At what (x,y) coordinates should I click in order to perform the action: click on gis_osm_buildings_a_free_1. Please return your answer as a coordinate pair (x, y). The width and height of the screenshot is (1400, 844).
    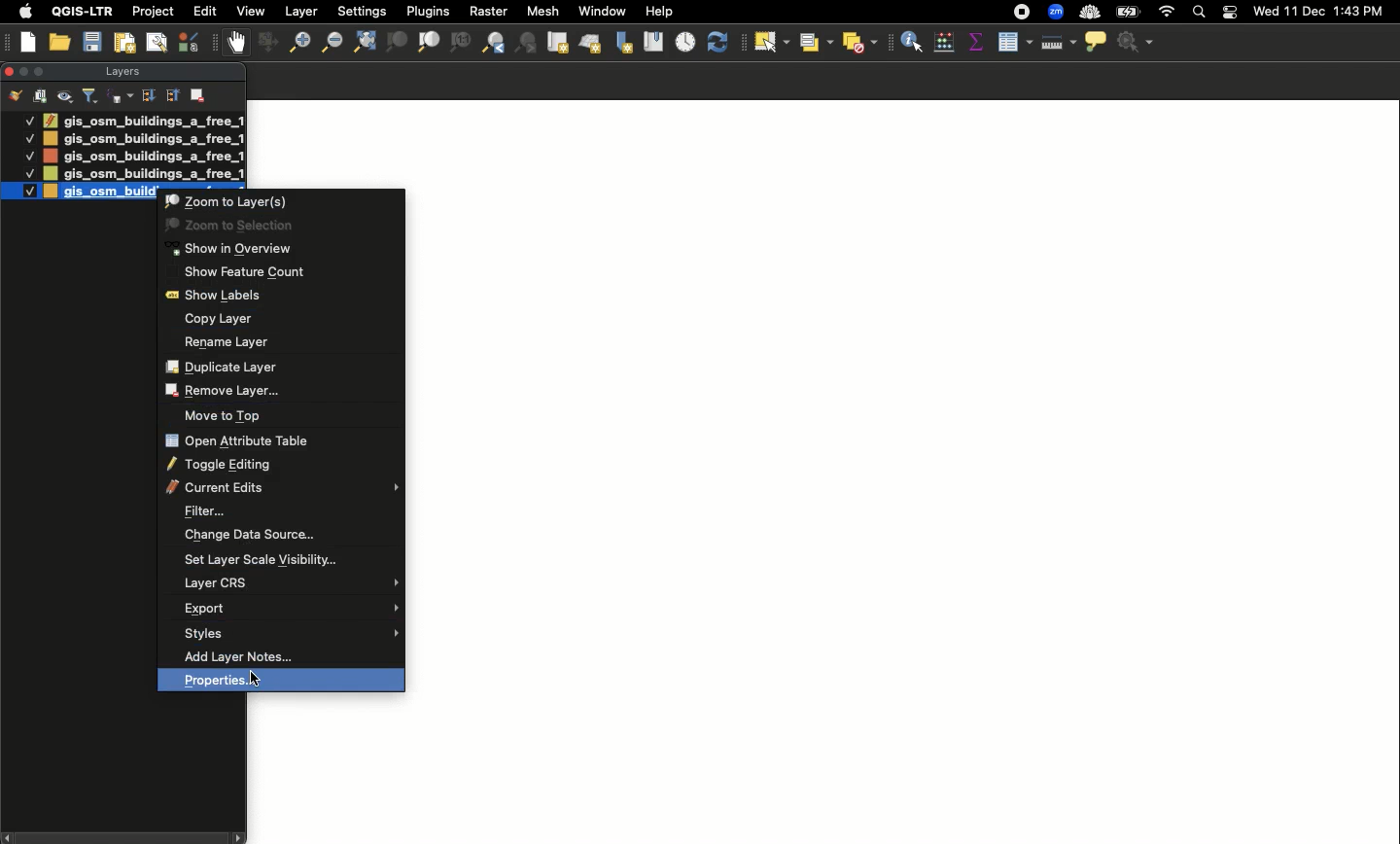
    Looking at the image, I should click on (100, 192).